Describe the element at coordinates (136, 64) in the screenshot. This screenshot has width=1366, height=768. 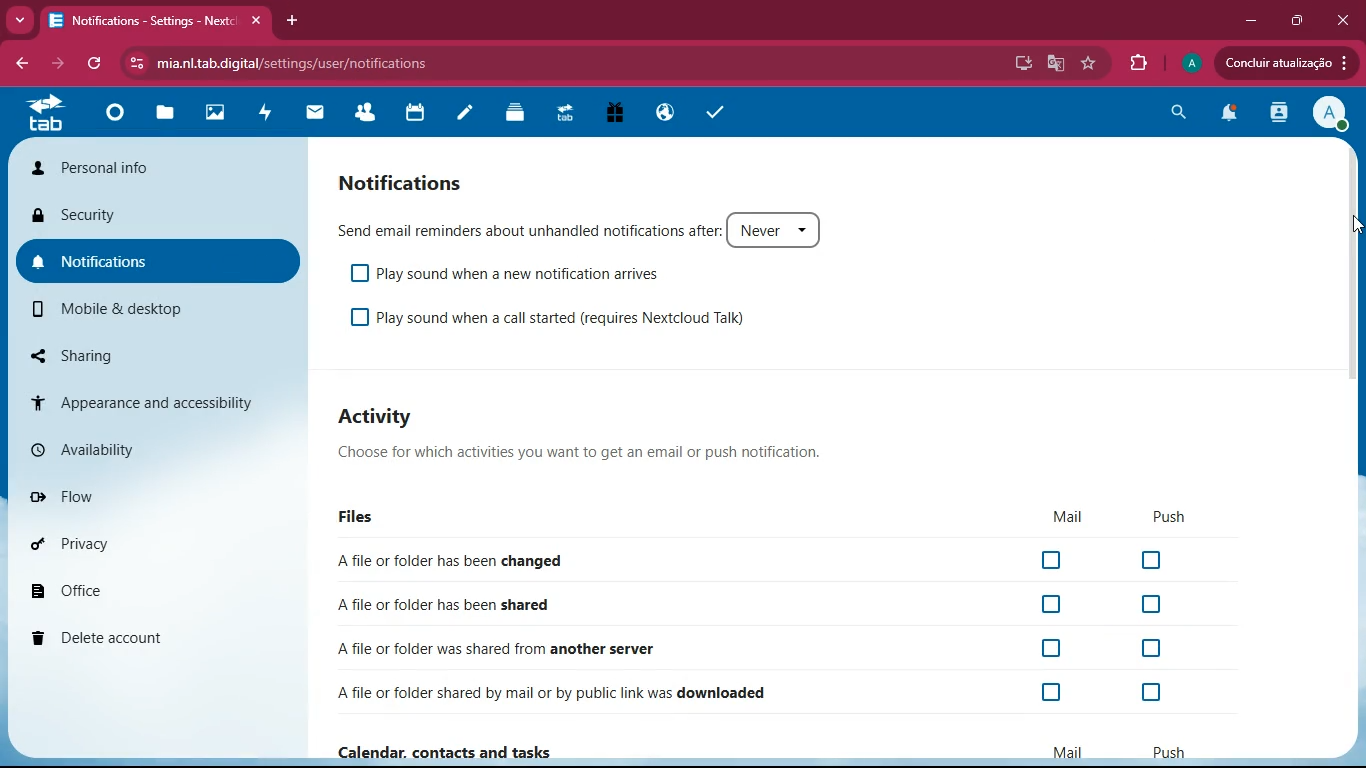
I see `View site information` at that location.